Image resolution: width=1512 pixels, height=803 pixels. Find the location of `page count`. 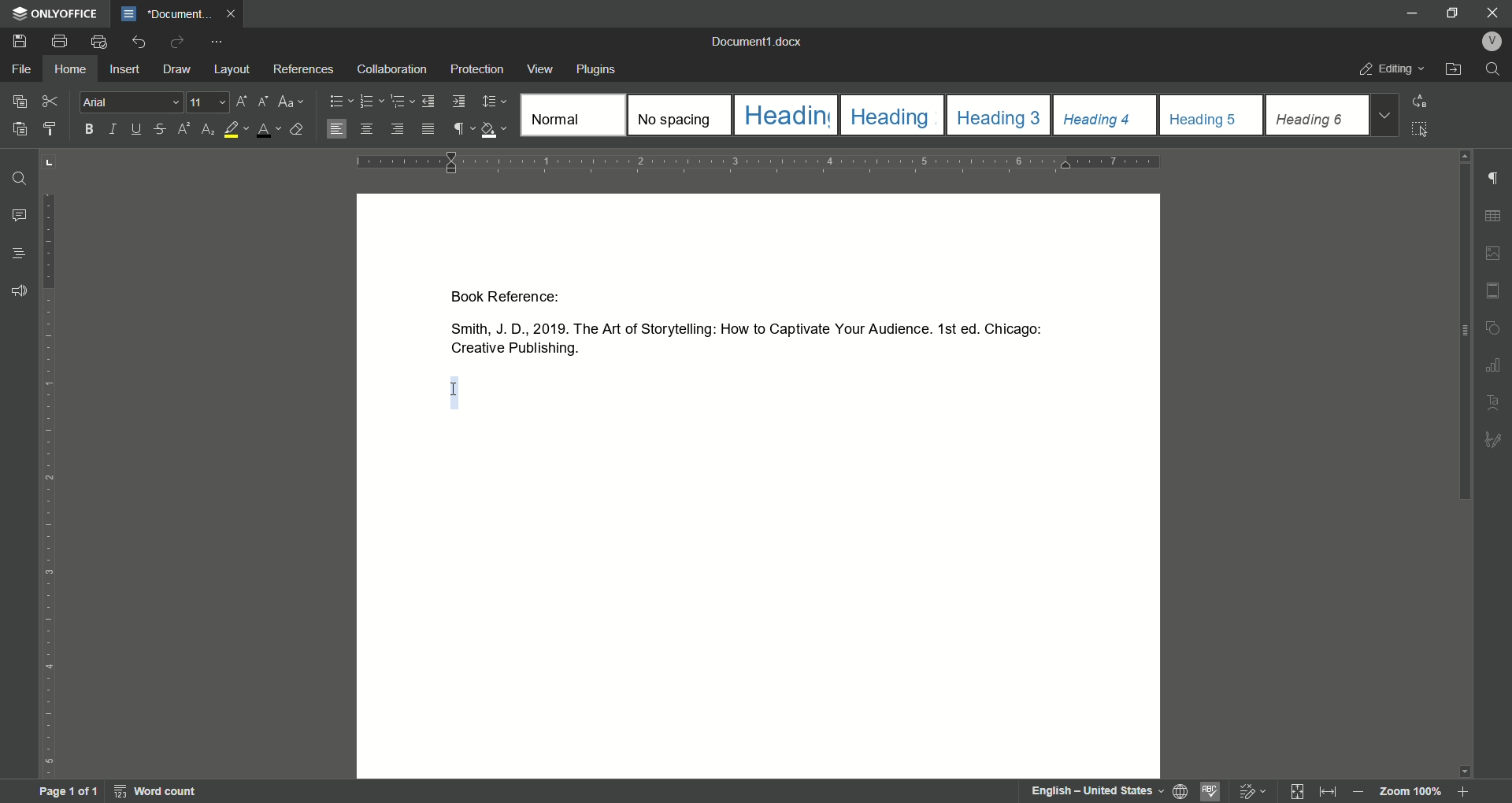

page count is located at coordinates (67, 792).